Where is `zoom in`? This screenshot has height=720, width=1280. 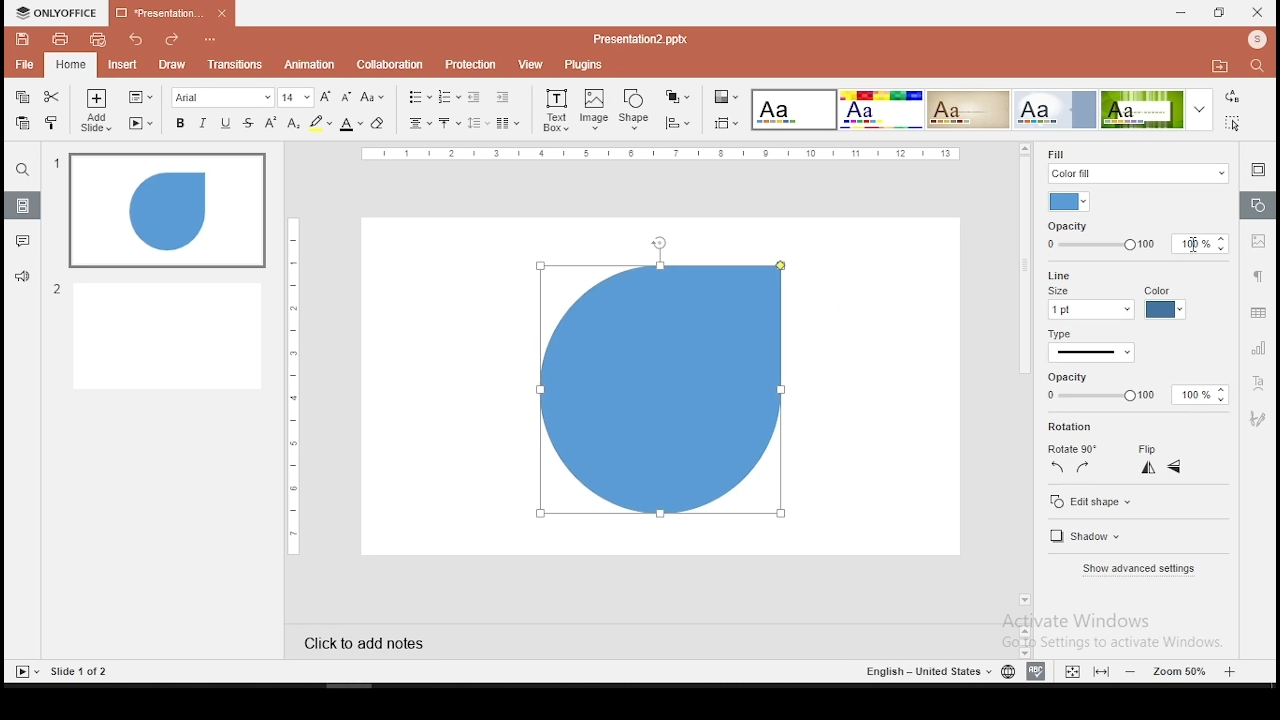 zoom in is located at coordinates (1132, 671).